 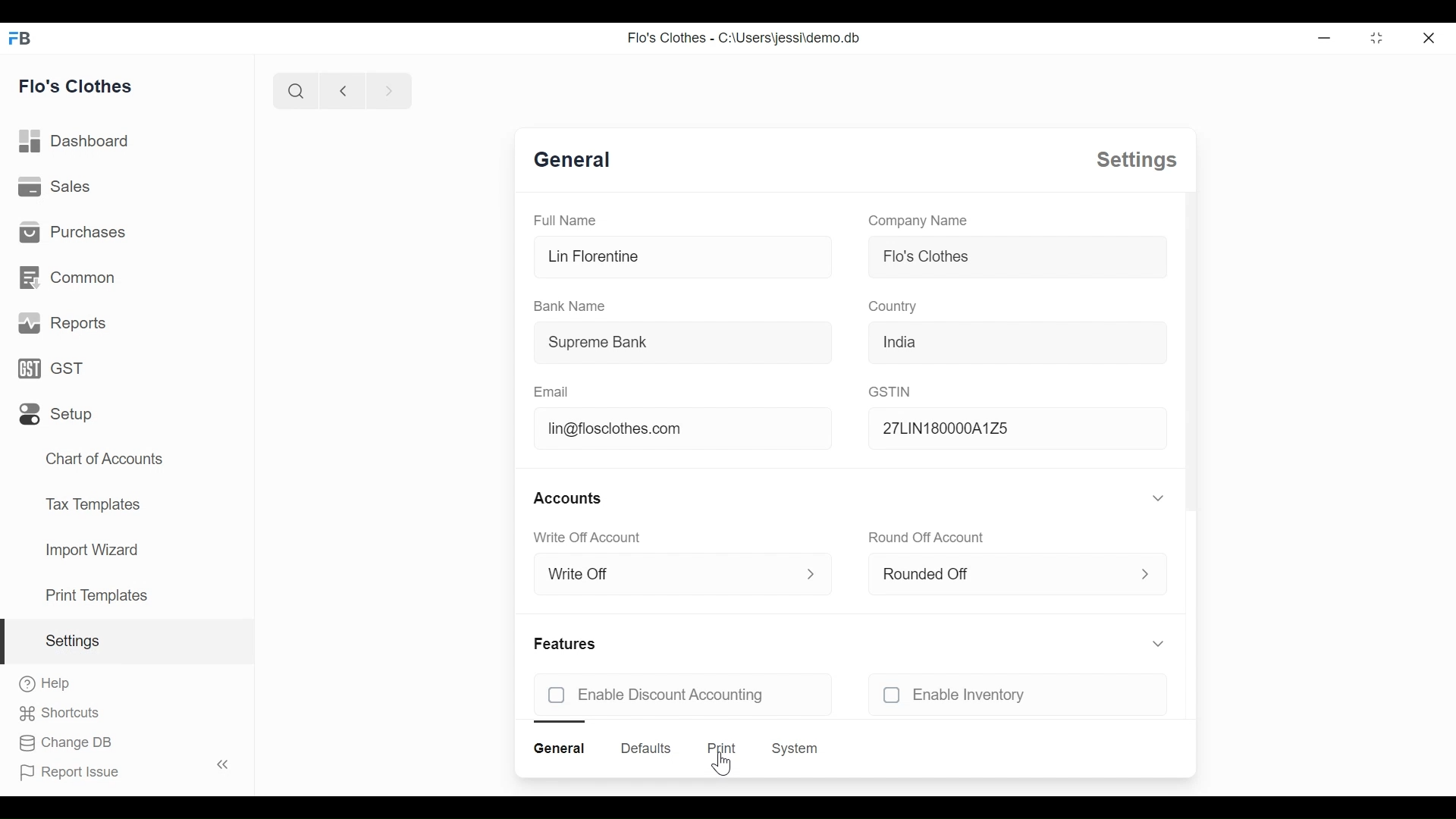 I want to click on shortcuts, so click(x=59, y=714).